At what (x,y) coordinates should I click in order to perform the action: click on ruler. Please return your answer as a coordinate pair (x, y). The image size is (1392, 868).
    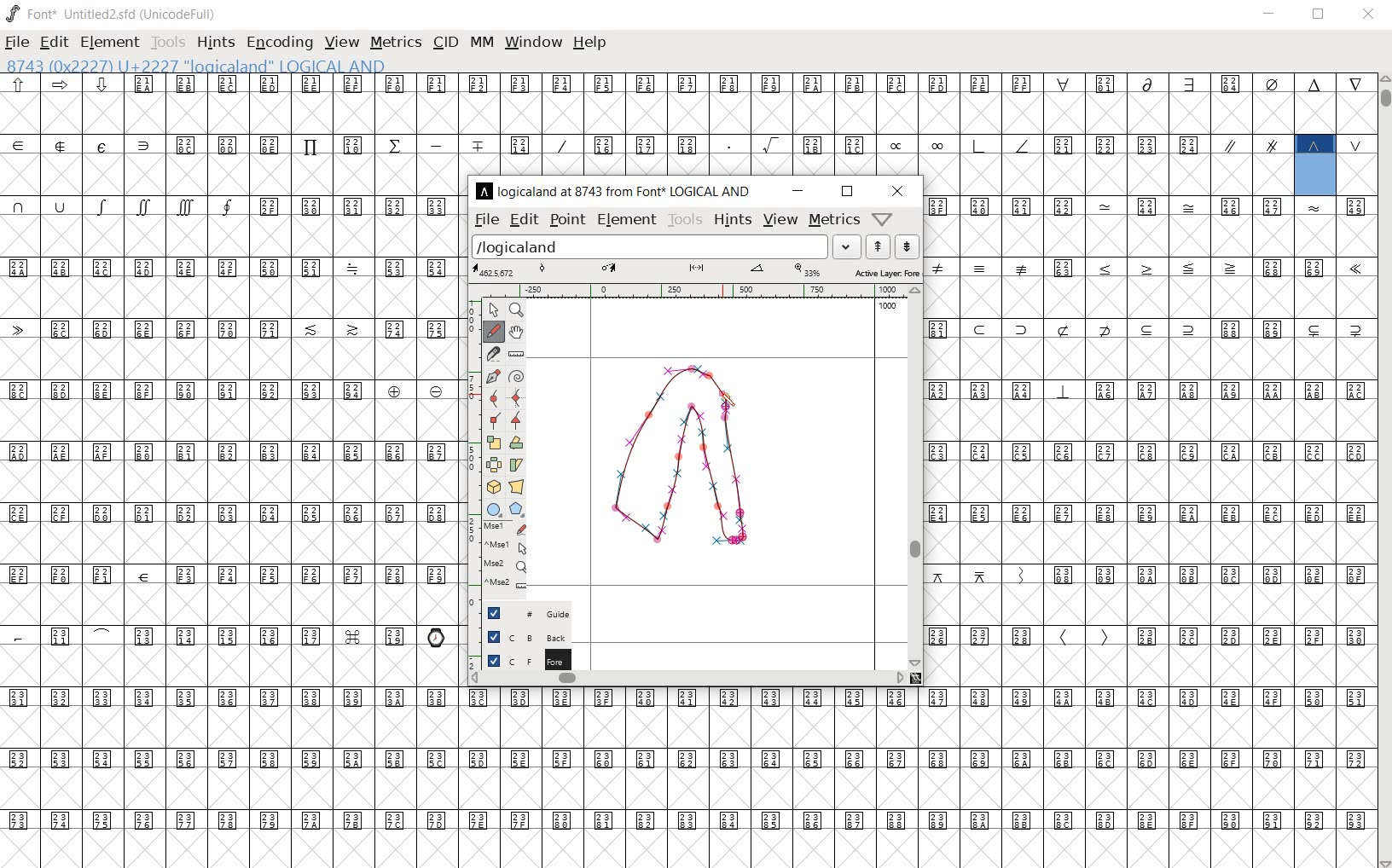
    Looking at the image, I should click on (692, 291).